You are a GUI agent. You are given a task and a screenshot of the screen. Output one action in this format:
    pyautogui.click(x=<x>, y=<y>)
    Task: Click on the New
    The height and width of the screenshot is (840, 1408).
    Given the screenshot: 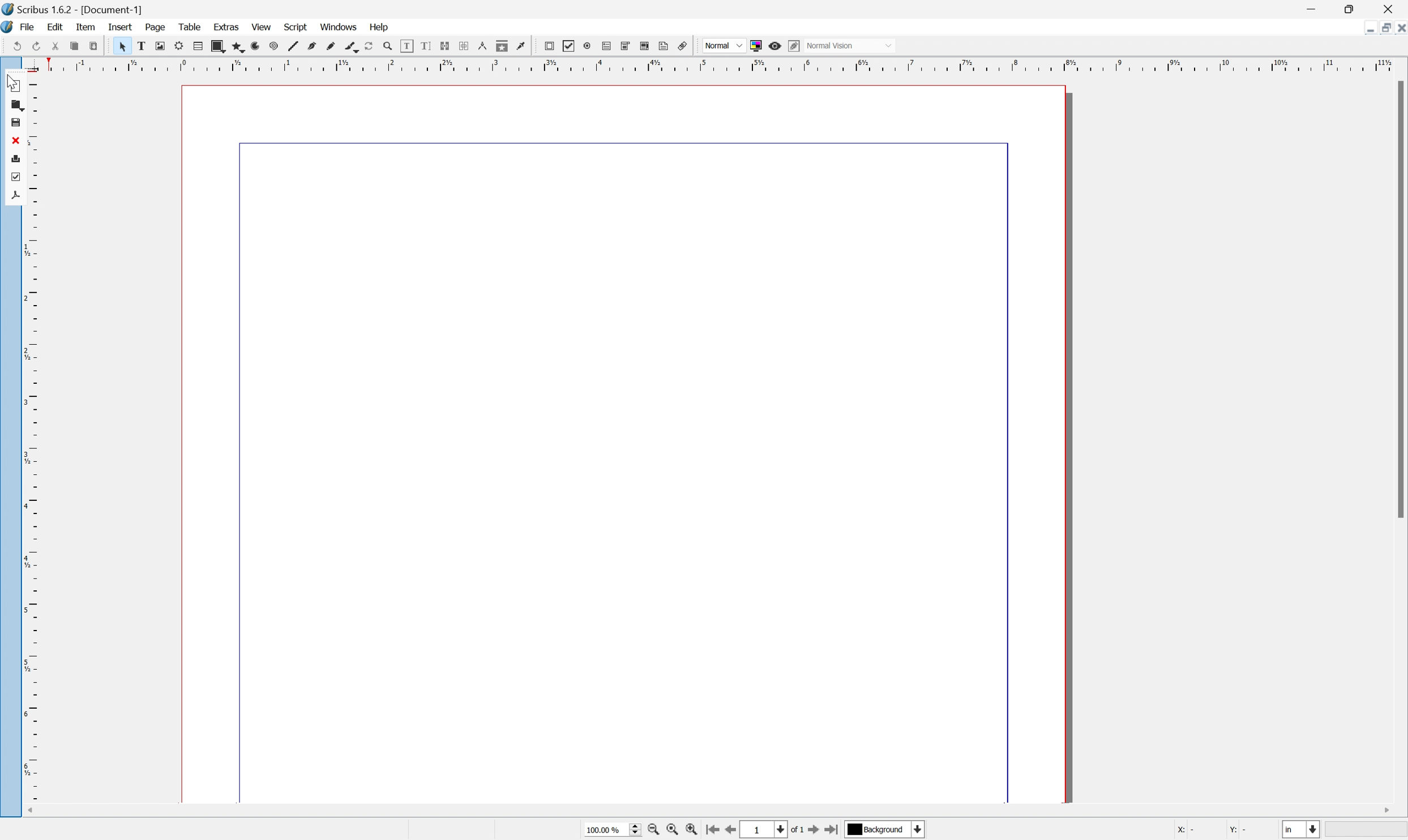 What is the action you would take?
    pyautogui.click(x=16, y=86)
    